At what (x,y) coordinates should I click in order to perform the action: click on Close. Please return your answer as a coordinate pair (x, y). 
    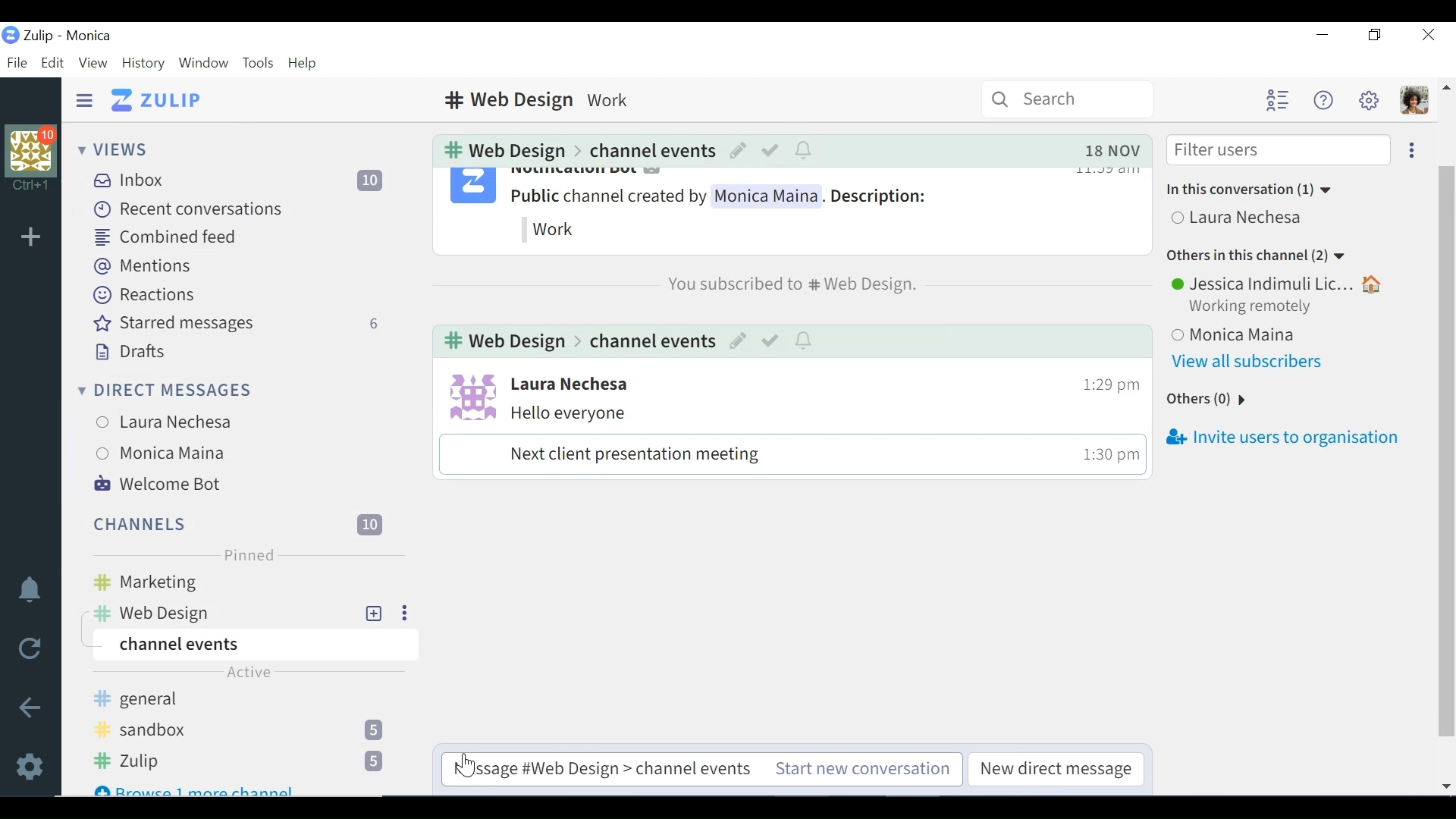
    Looking at the image, I should click on (1427, 35).